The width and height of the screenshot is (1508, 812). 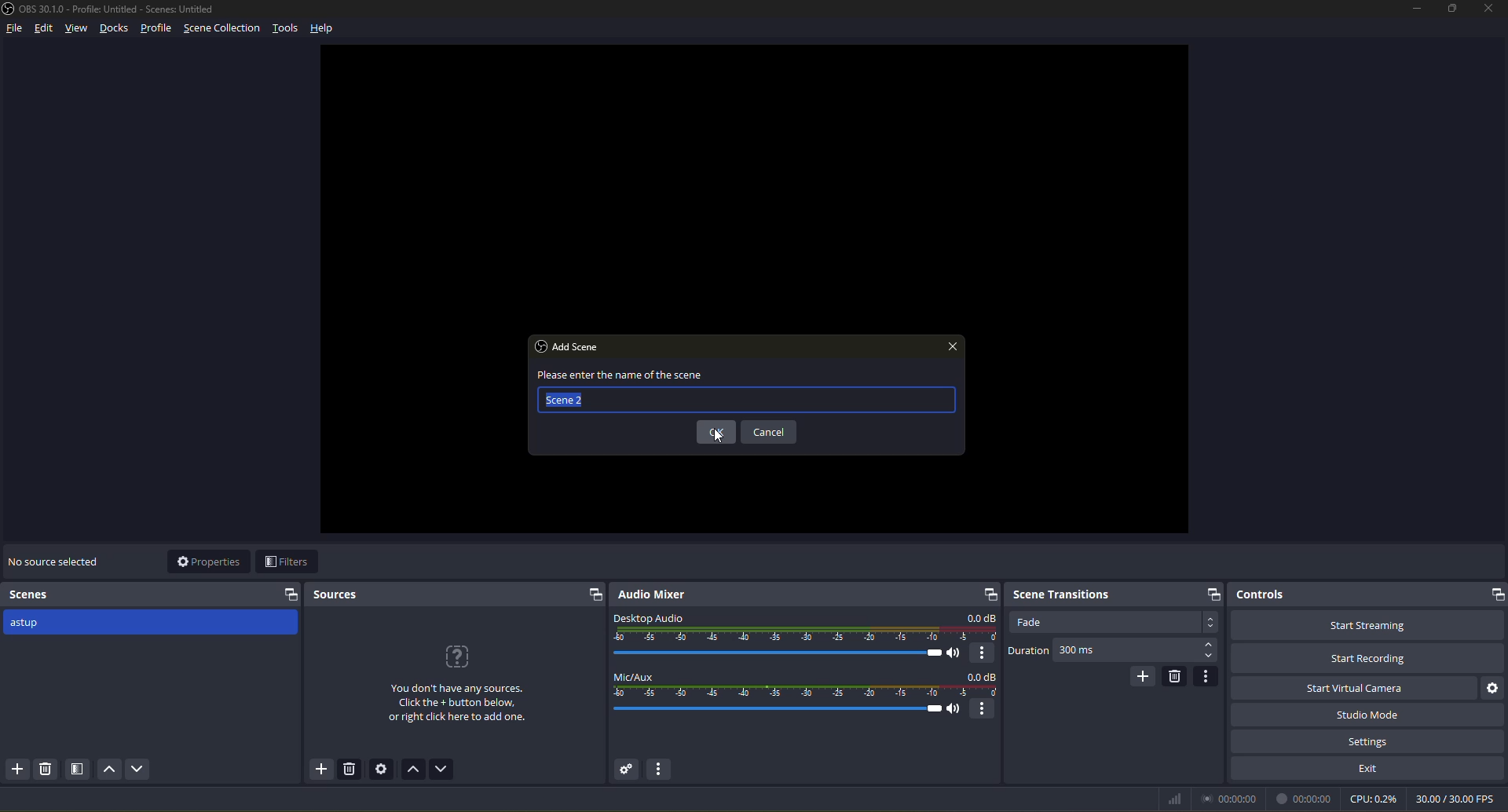 What do you see at coordinates (1207, 675) in the screenshot?
I see `transition properties` at bounding box center [1207, 675].